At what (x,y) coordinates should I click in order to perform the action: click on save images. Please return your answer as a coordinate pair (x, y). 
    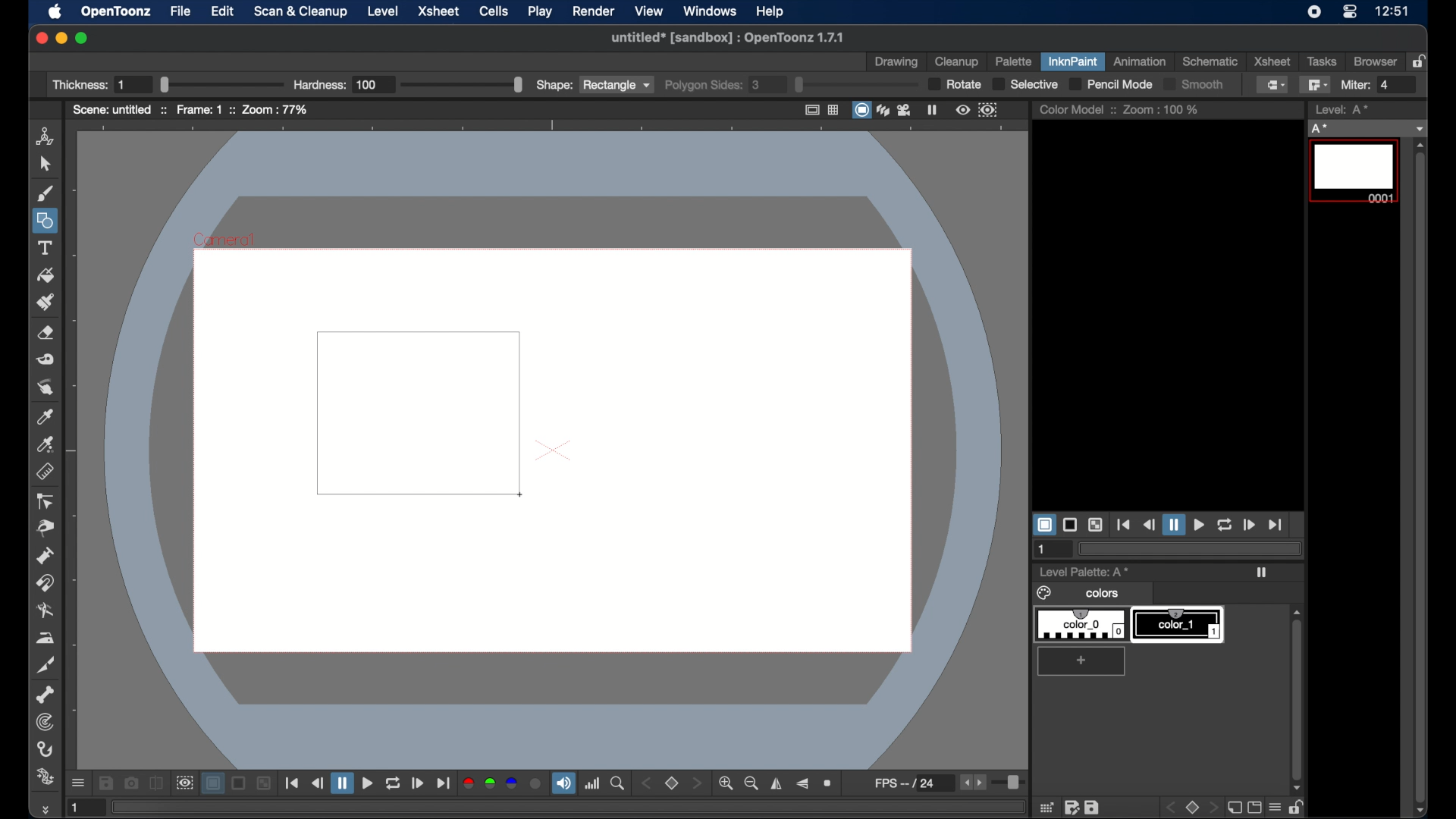
    Looking at the image, I should click on (105, 783).